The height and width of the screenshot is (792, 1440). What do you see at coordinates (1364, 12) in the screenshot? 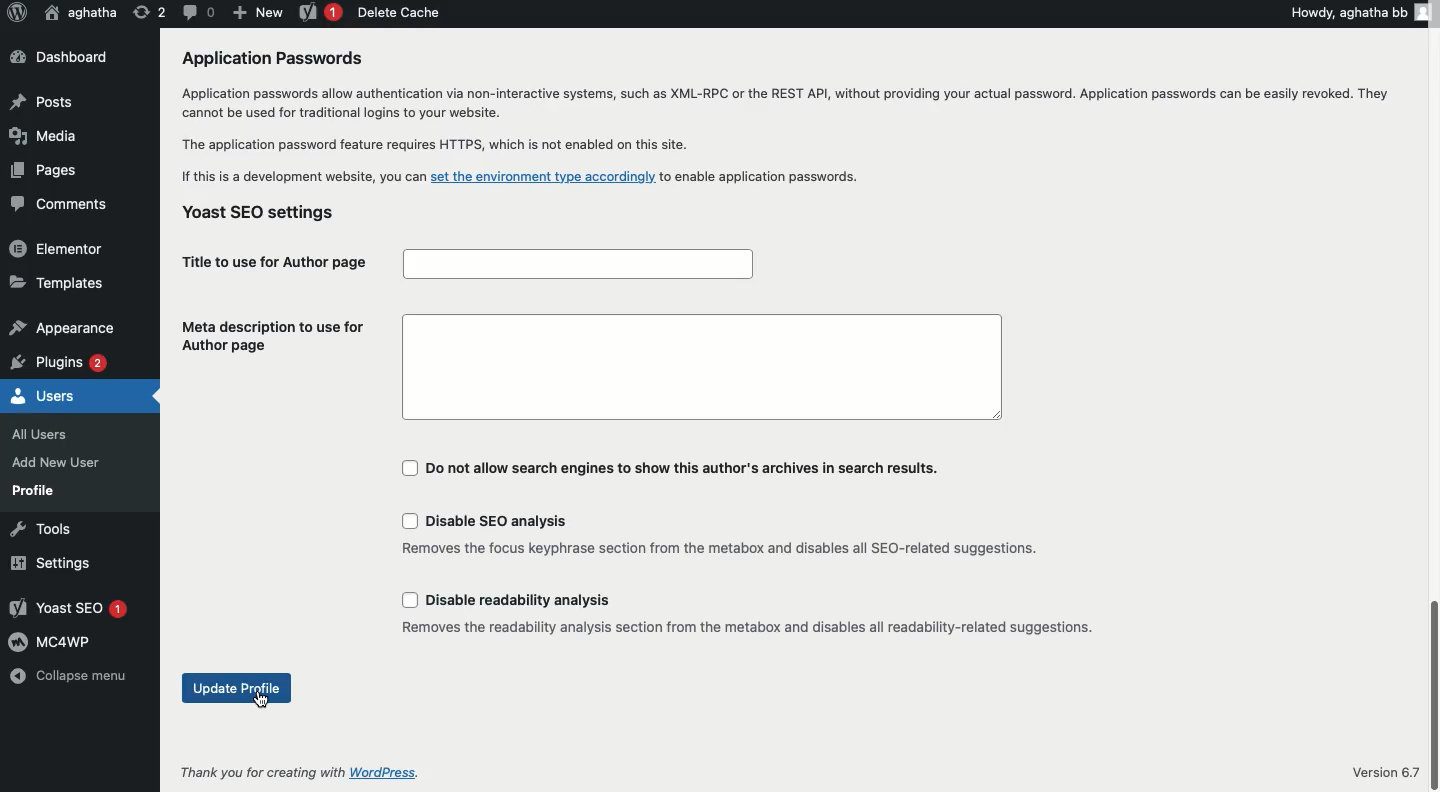
I see `Howdy, aghatha` at bounding box center [1364, 12].